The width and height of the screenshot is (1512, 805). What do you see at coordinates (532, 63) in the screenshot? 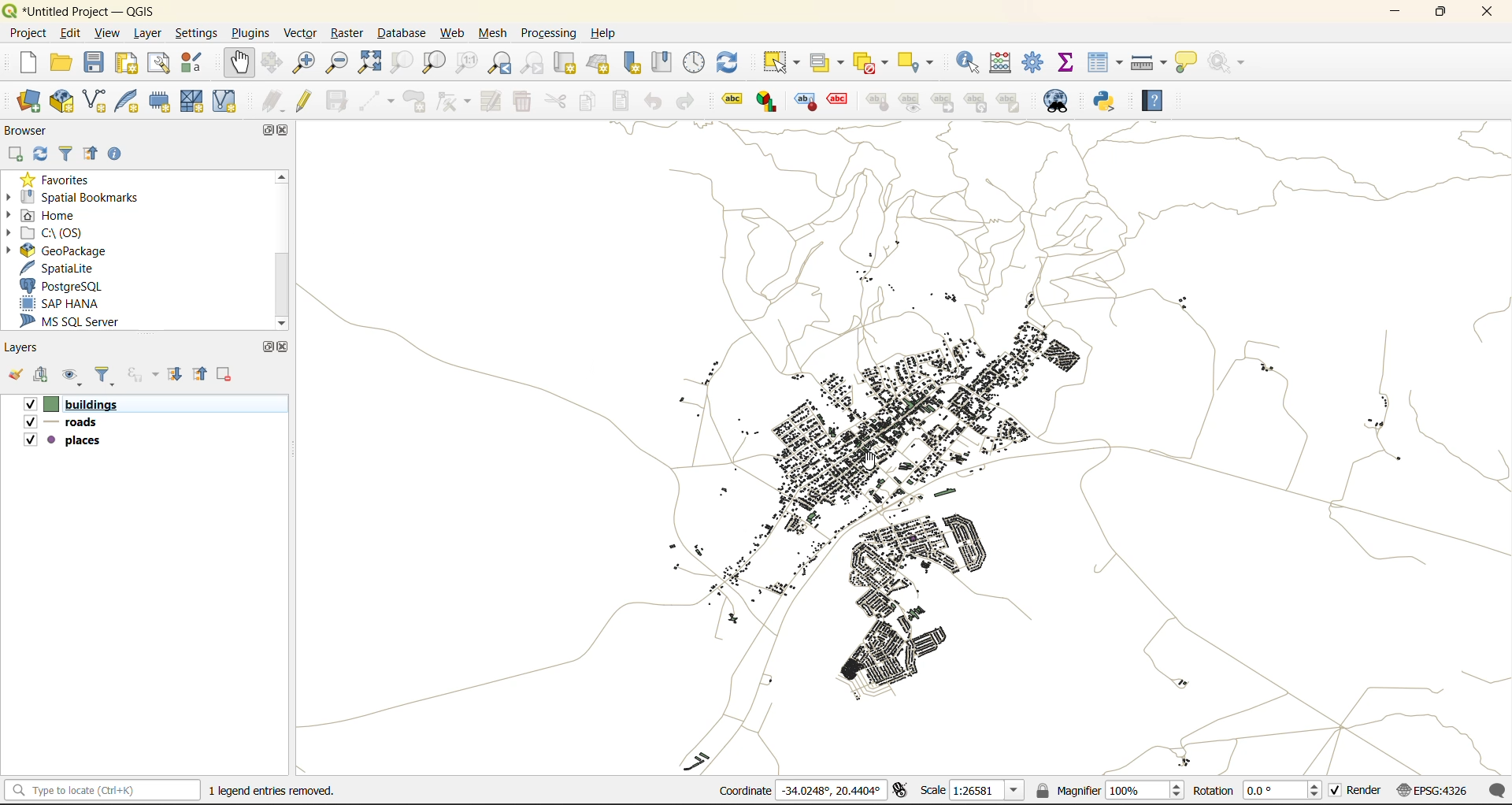
I see `zoom next` at bounding box center [532, 63].